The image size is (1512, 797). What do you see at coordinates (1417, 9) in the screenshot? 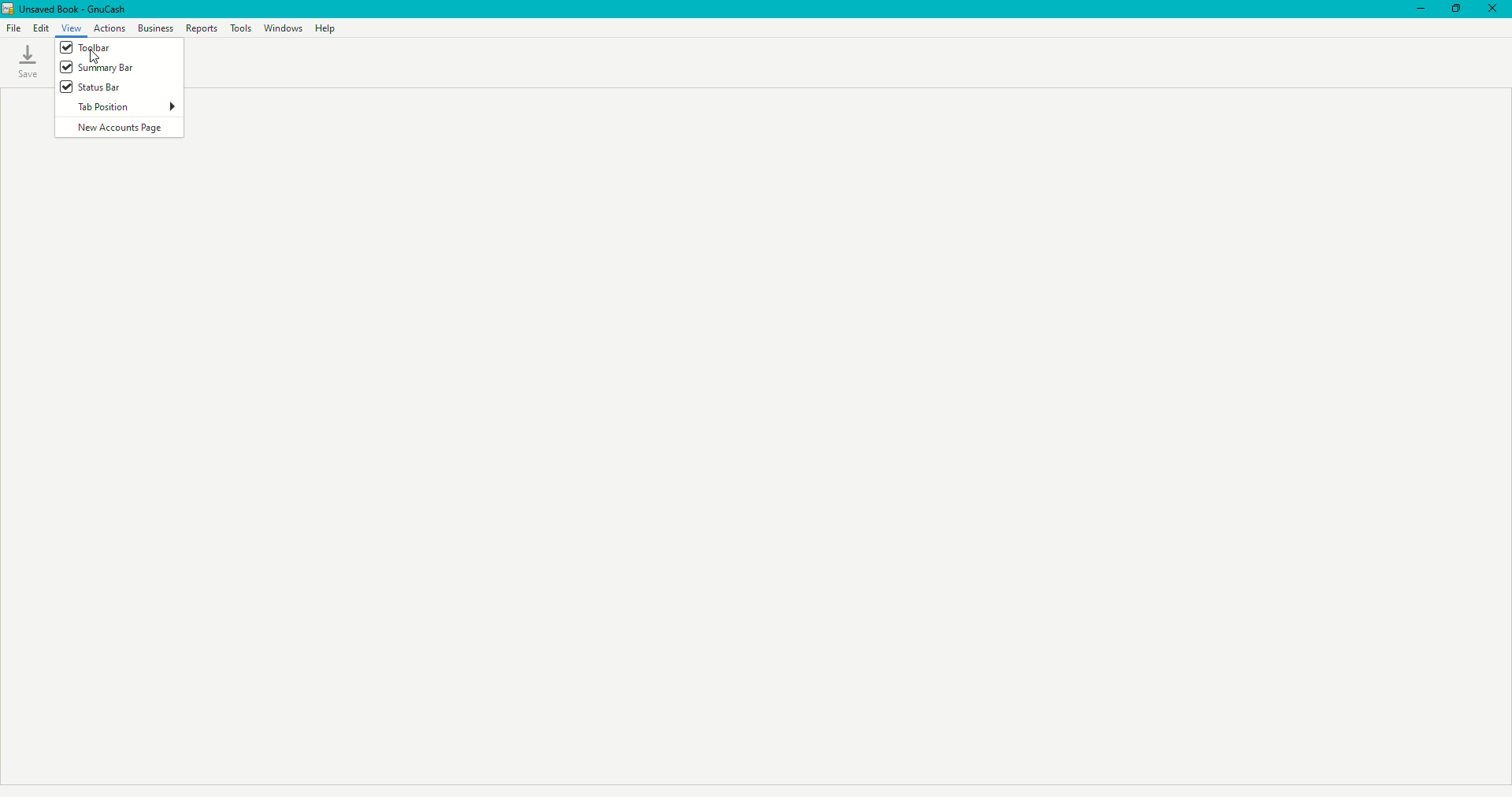
I see `Minimize` at bounding box center [1417, 9].